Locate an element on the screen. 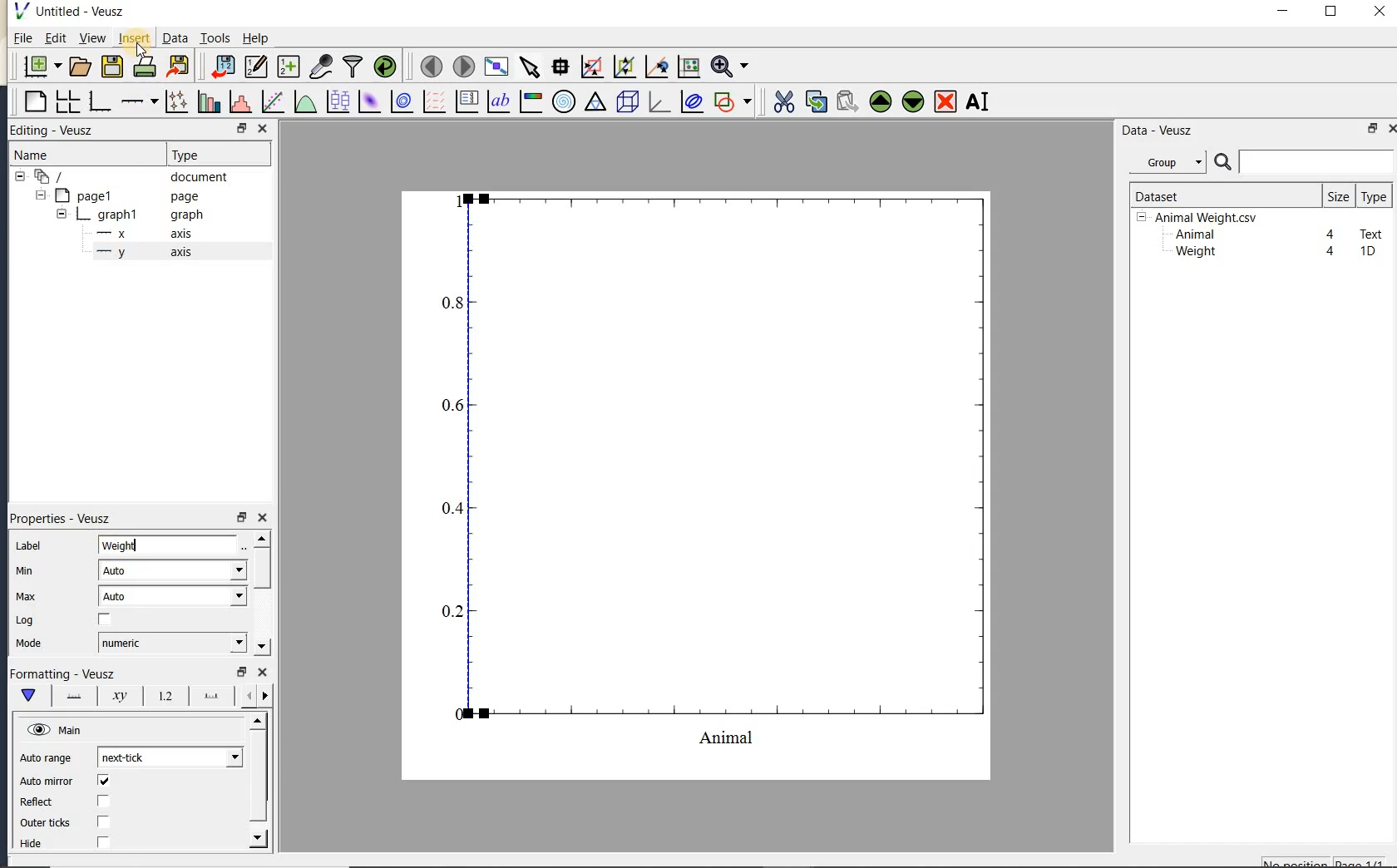 Image resolution: width=1397 pixels, height=868 pixels. check/uncheck is located at coordinates (102, 841).